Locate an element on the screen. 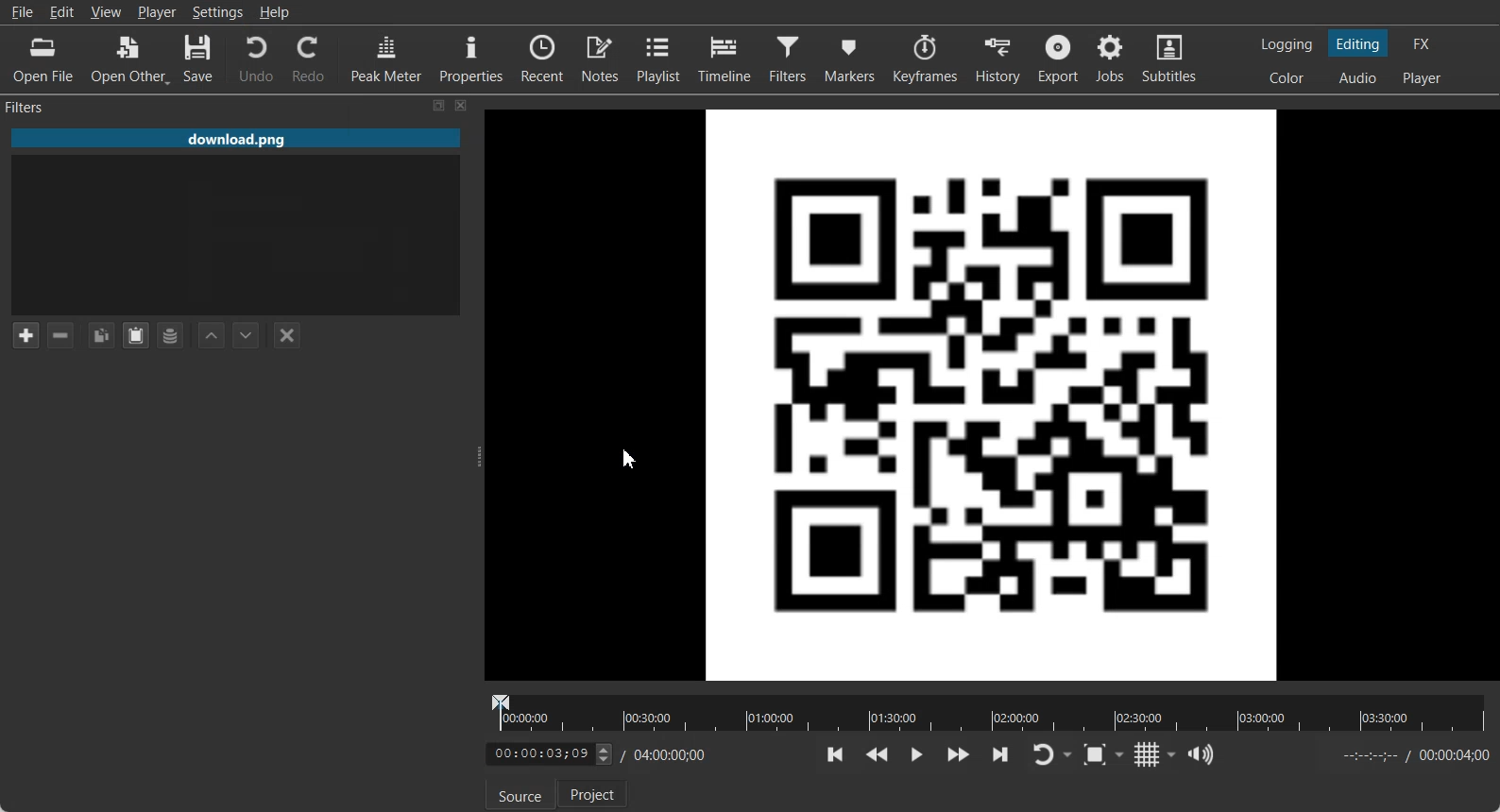  Deselect The Filter is located at coordinates (286, 335).